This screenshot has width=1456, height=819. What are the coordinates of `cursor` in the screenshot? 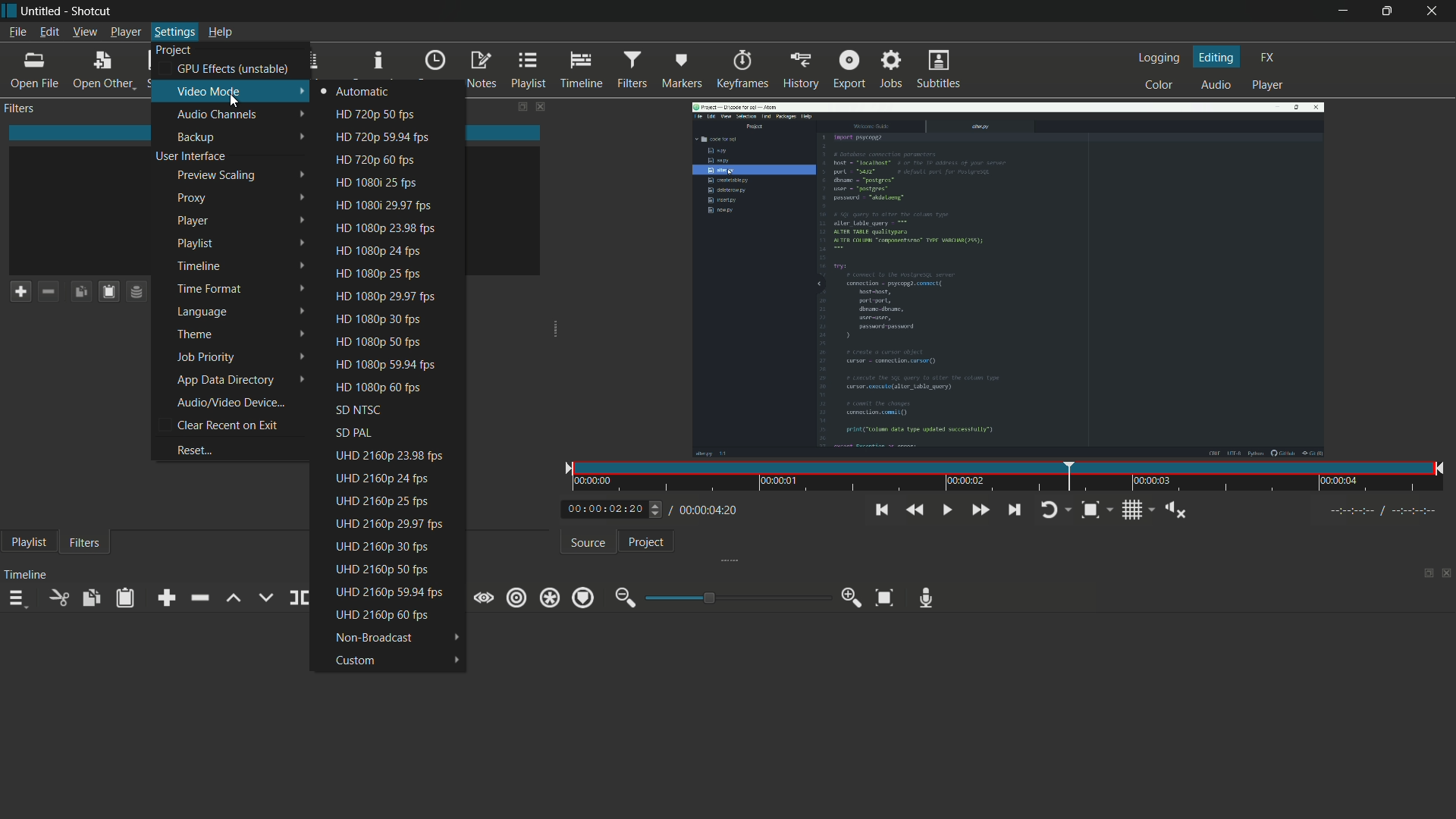 It's located at (234, 104).